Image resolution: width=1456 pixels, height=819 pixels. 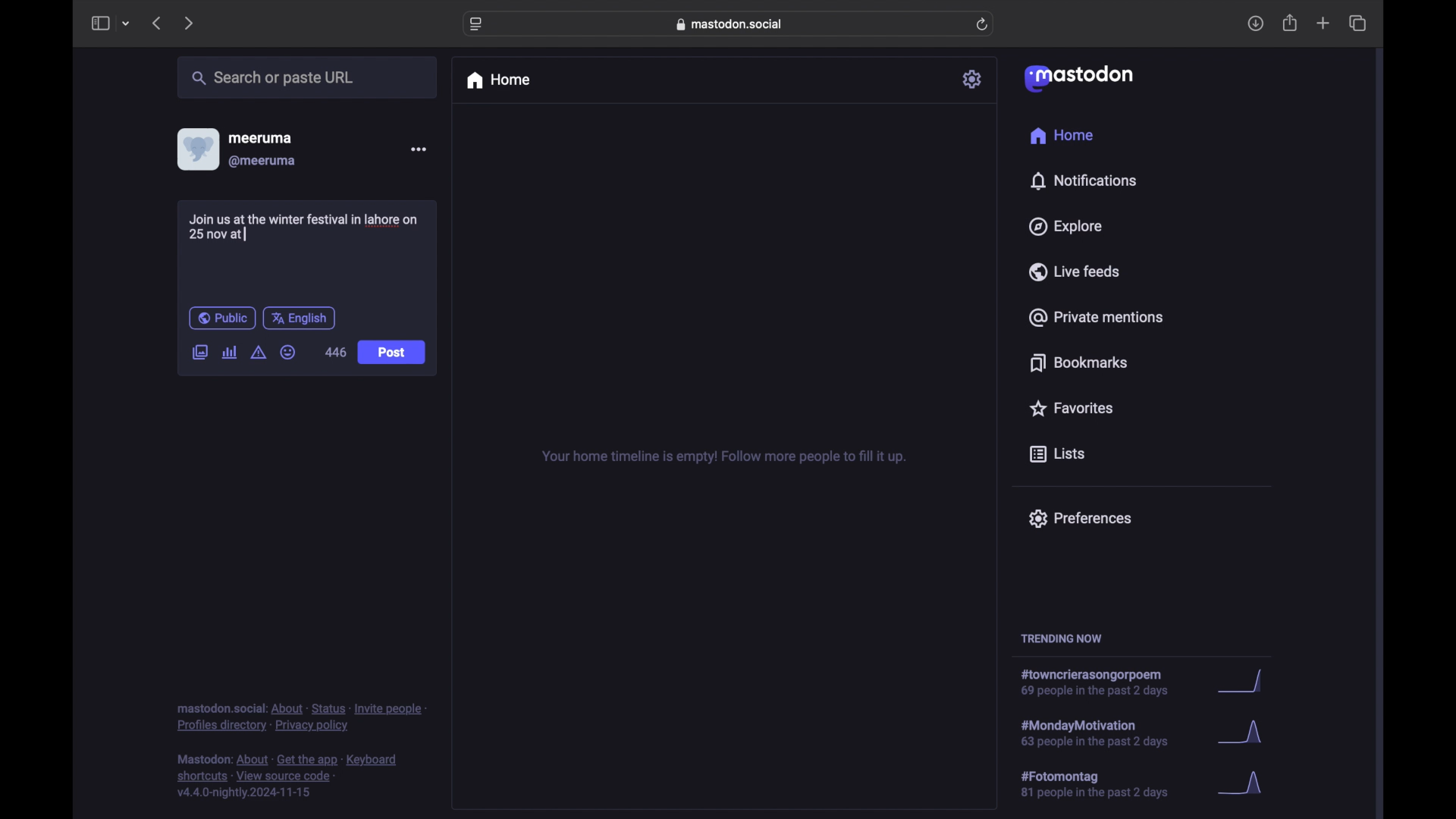 What do you see at coordinates (1291, 24) in the screenshot?
I see `share` at bounding box center [1291, 24].